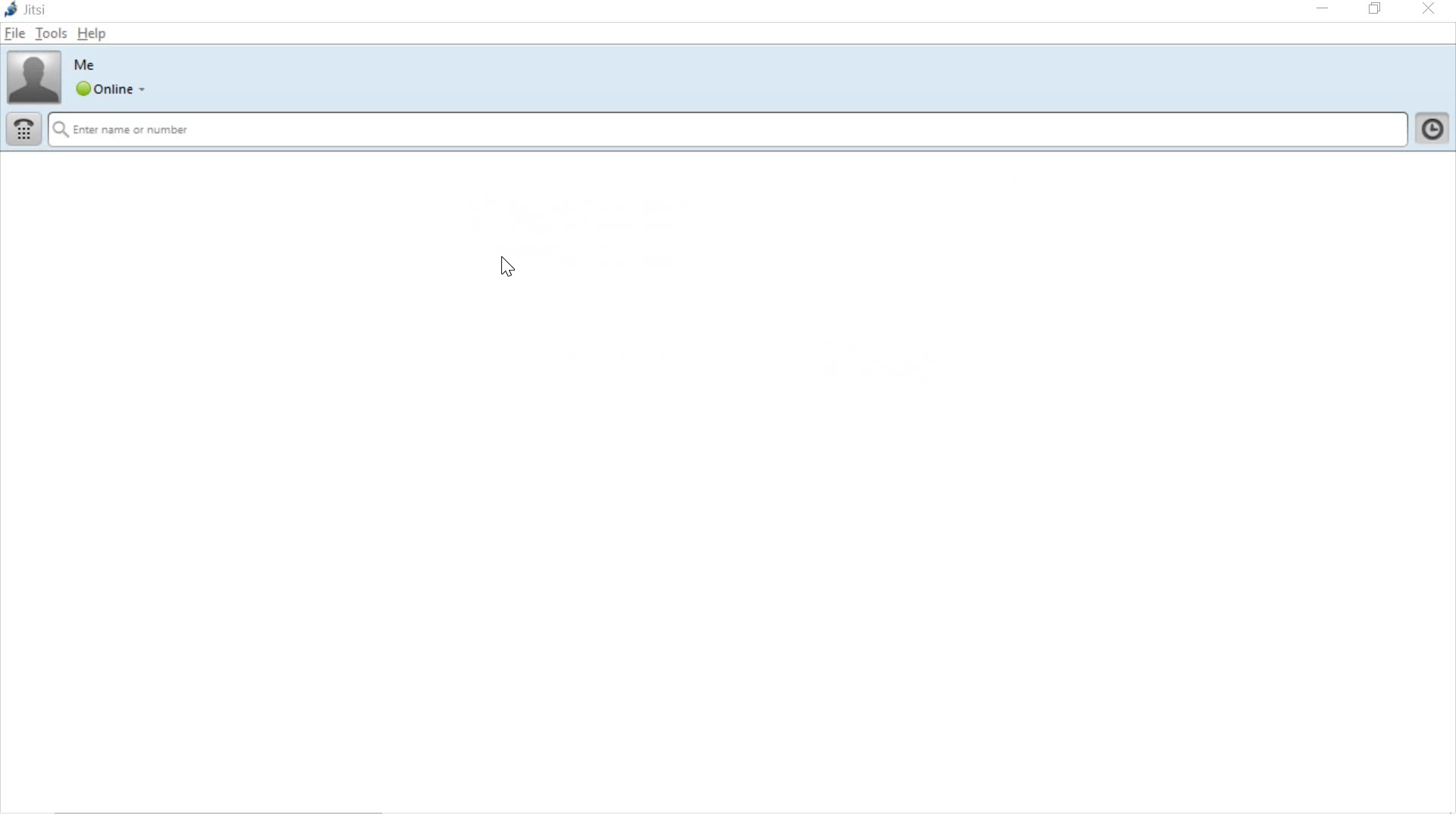 The width and height of the screenshot is (1456, 814). I want to click on click to show history, so click(1433, 131).